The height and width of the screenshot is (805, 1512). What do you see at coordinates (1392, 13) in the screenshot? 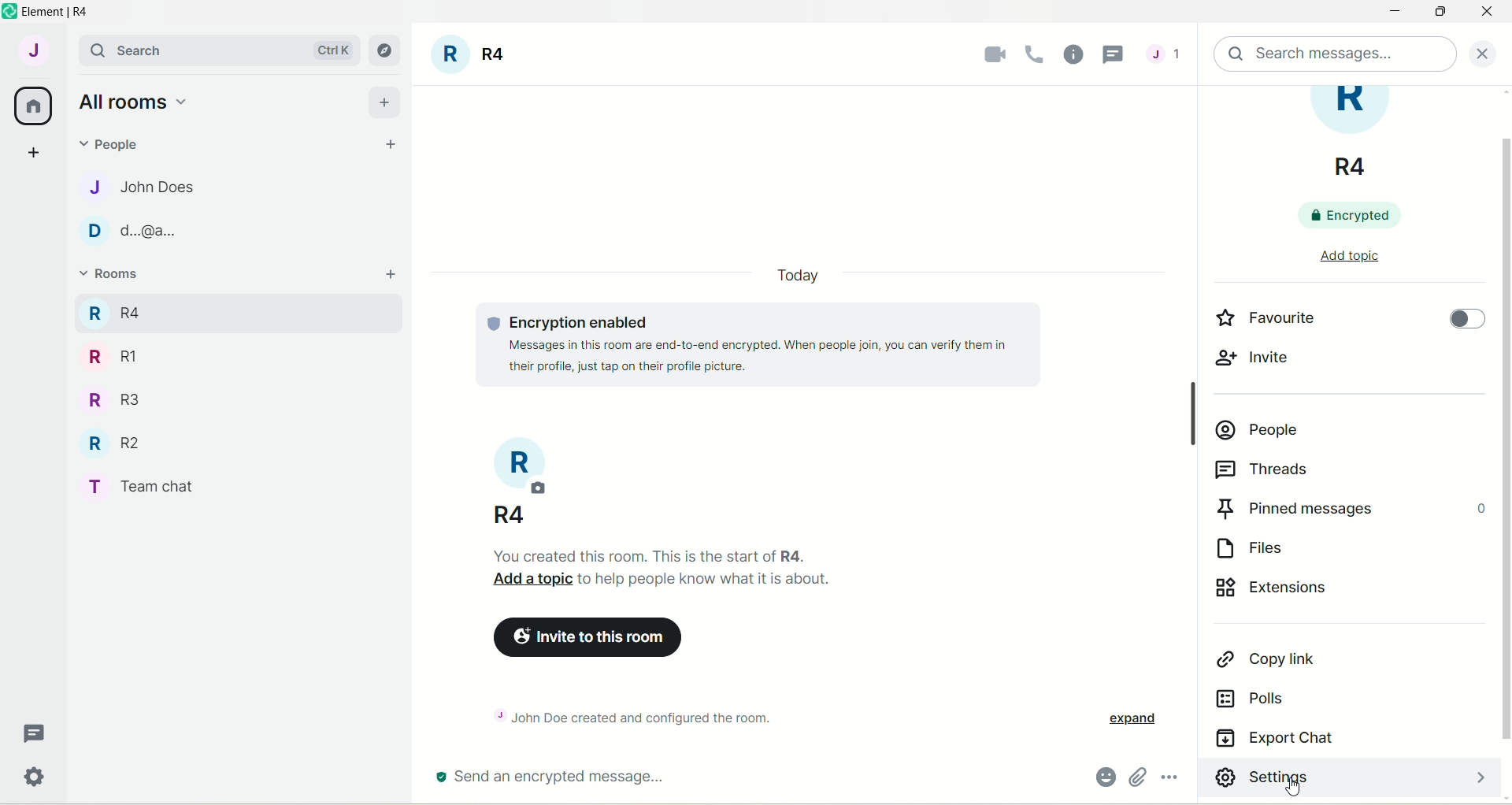
I see `minimize` at bounding box center [1392, 13].